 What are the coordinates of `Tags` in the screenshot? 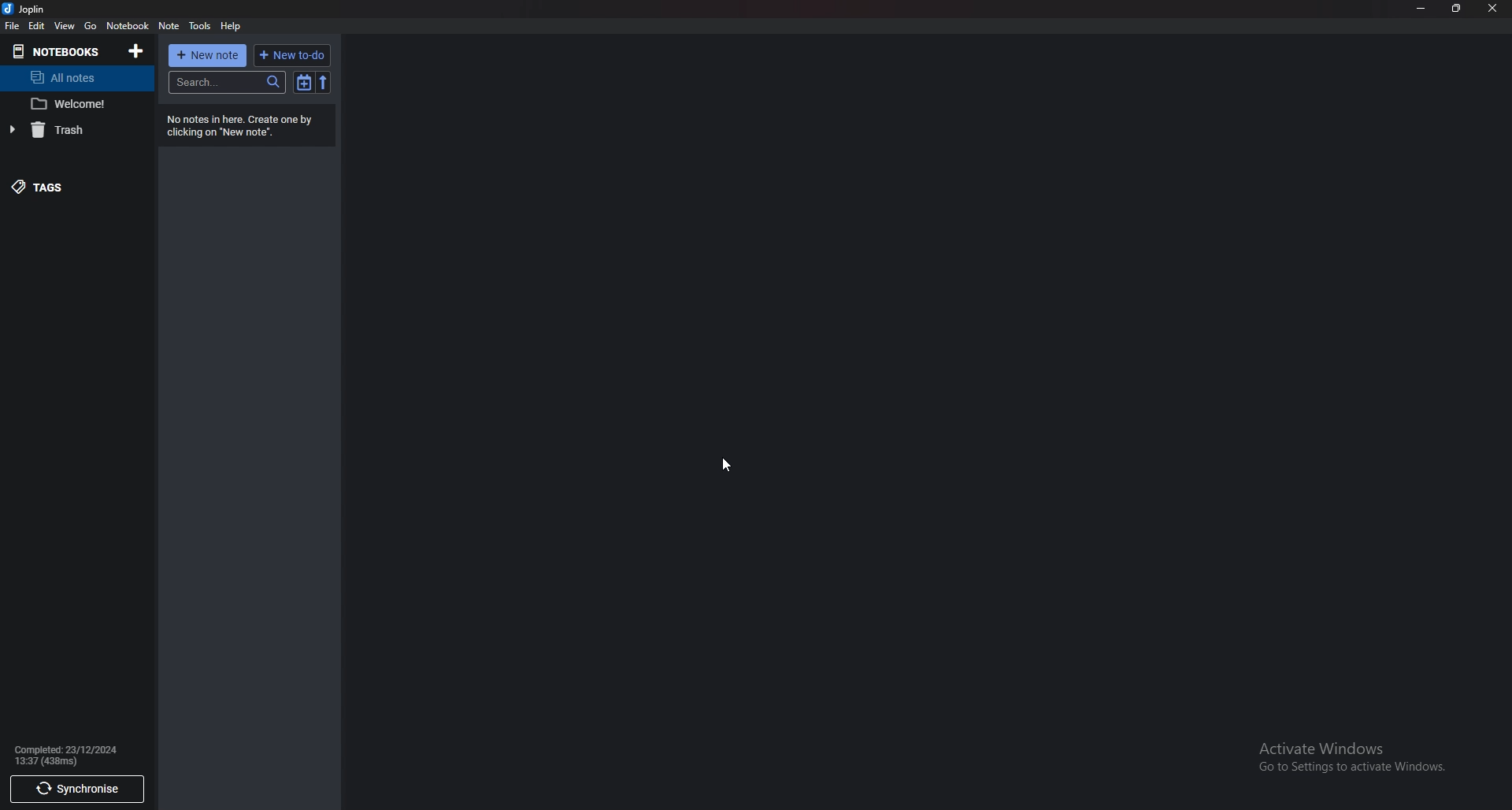 It's located at (57, 187).